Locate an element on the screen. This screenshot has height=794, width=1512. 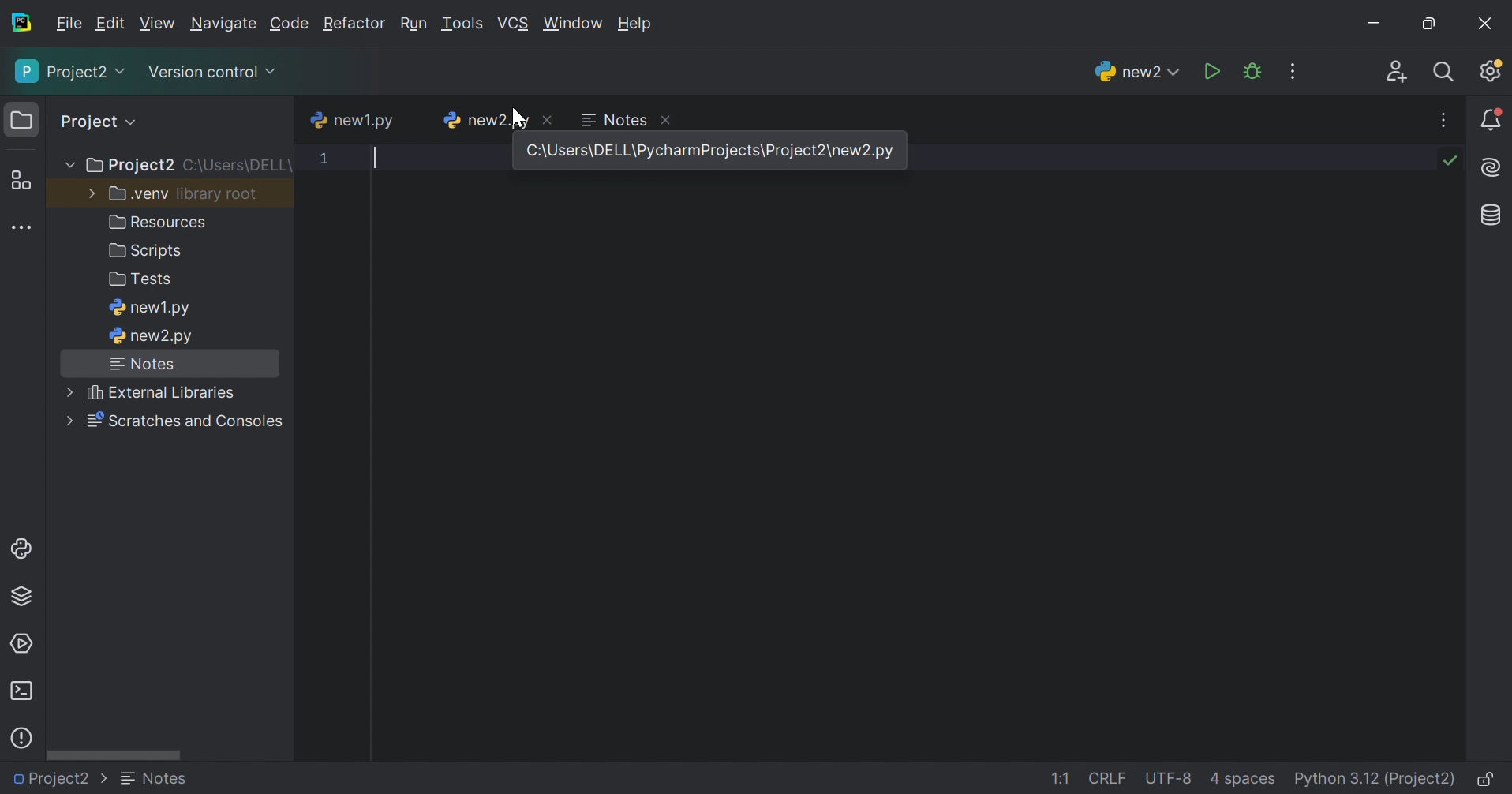
Run is located at coordinates (413, 24).